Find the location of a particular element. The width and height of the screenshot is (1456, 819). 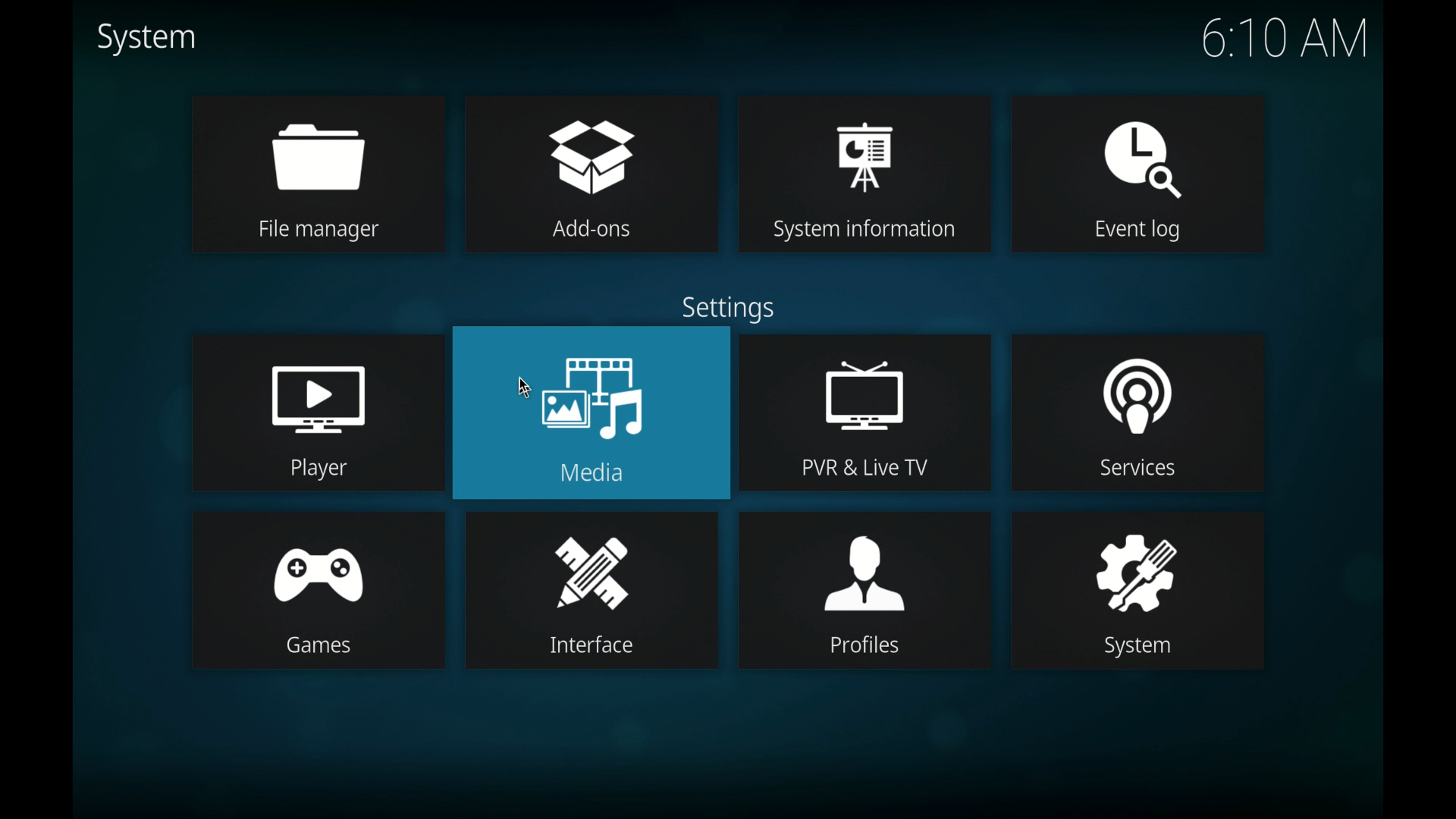

player is located at coordinates (315, 410).